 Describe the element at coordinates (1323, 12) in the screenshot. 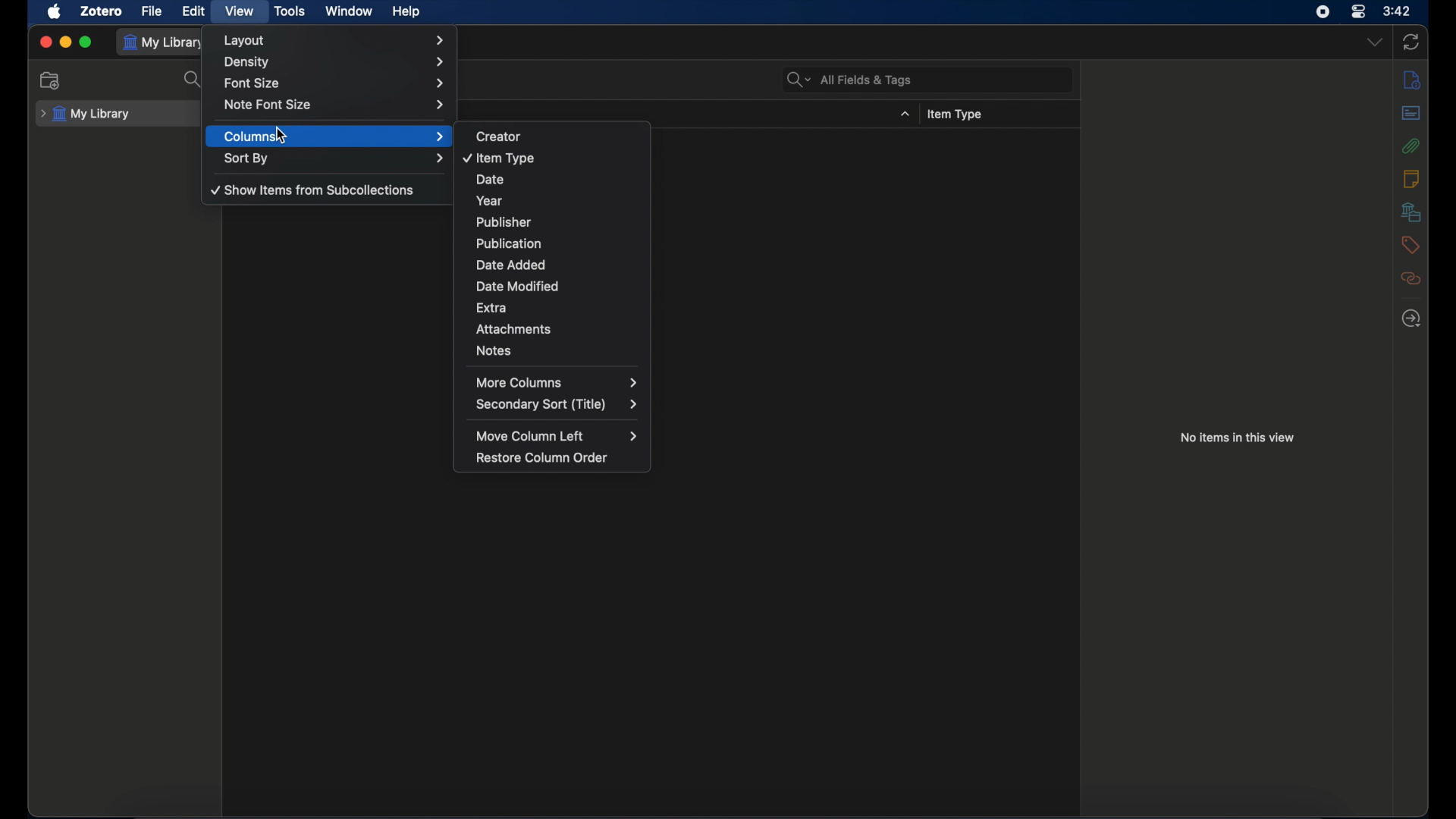

I see `screen recorder` at that location.